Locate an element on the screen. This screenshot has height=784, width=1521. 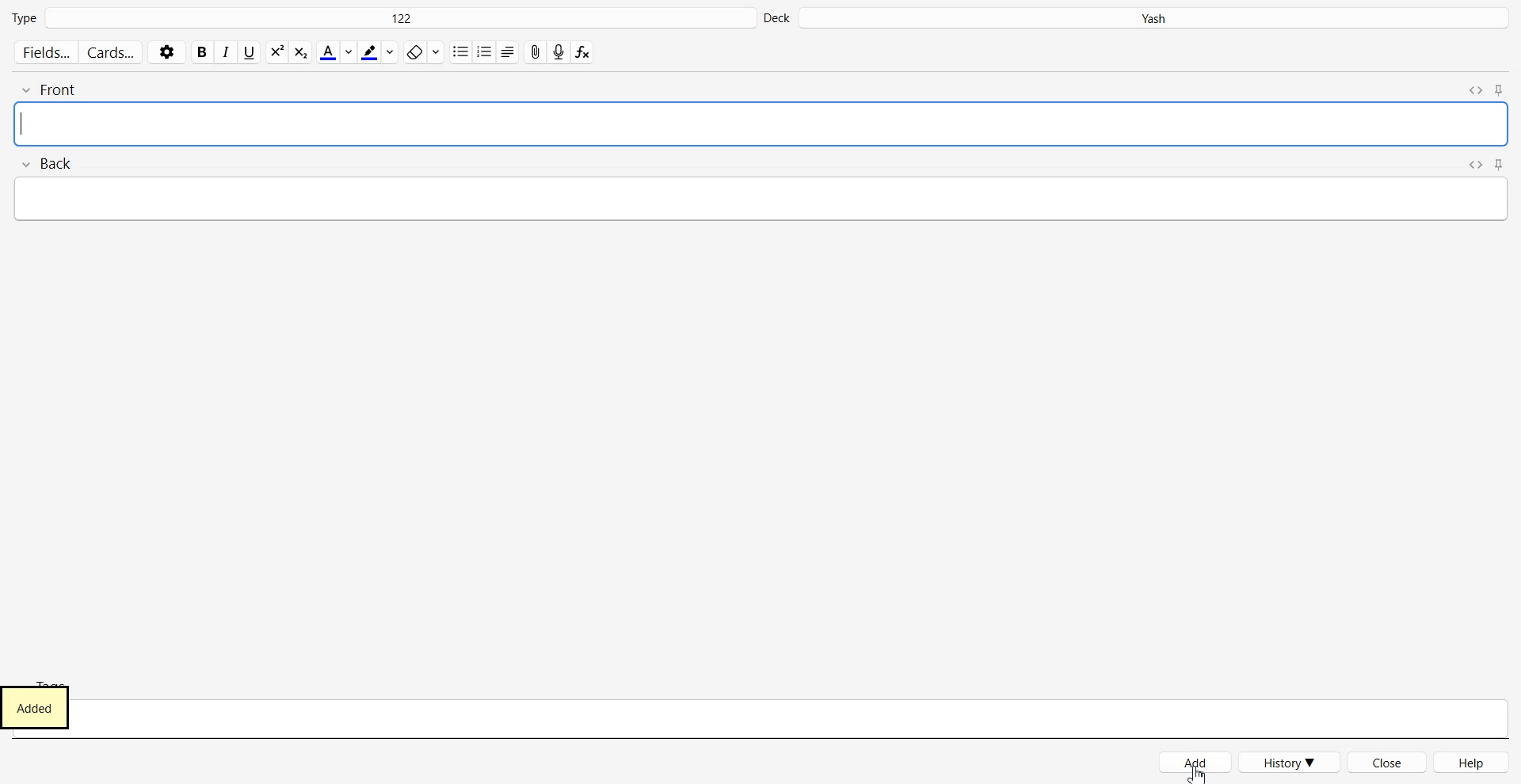
History is located at coordinates (1290, 762).